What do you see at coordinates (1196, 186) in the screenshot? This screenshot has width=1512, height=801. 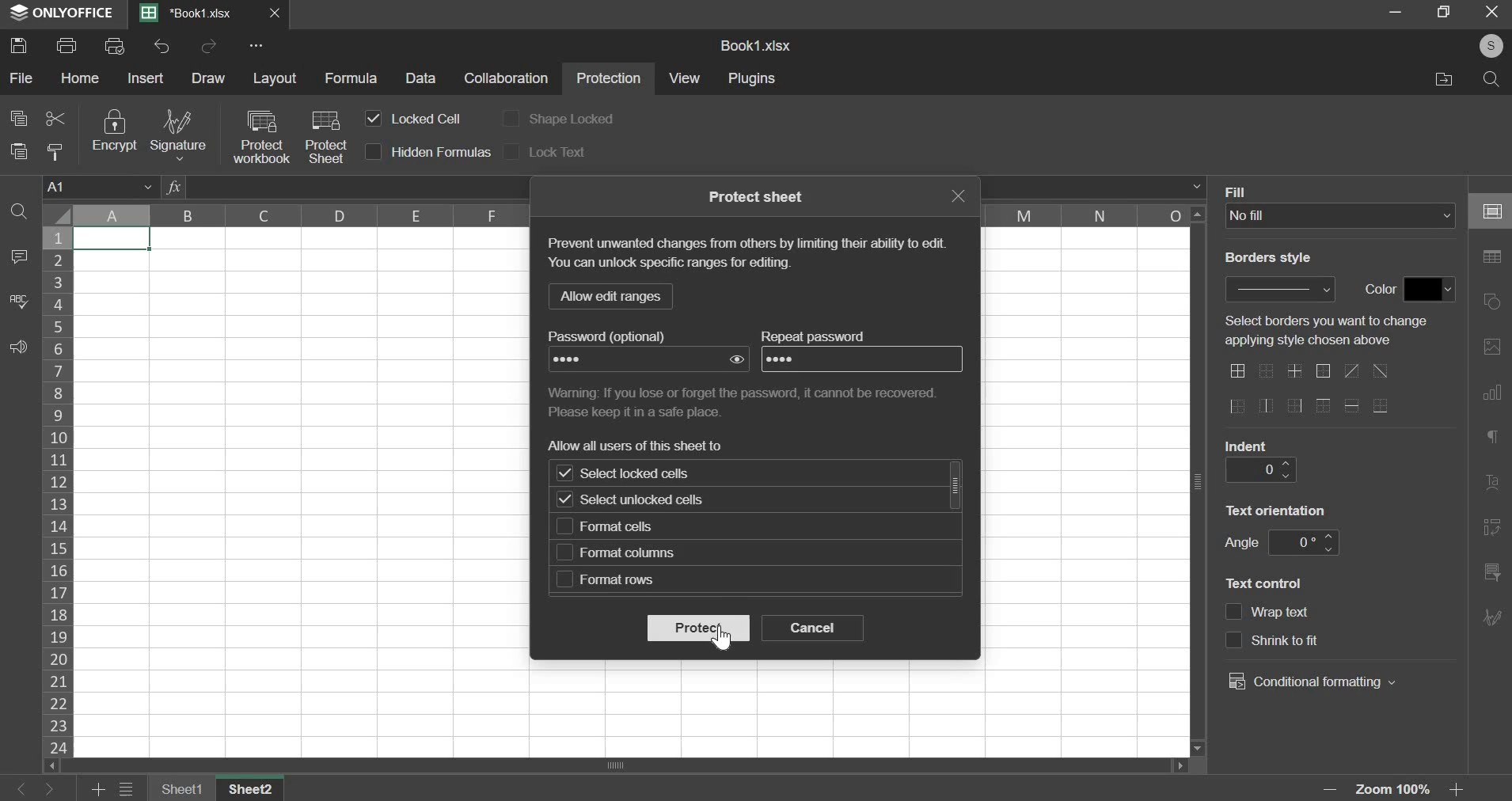 I see `formula bar` at bounding box center [1196, 186].